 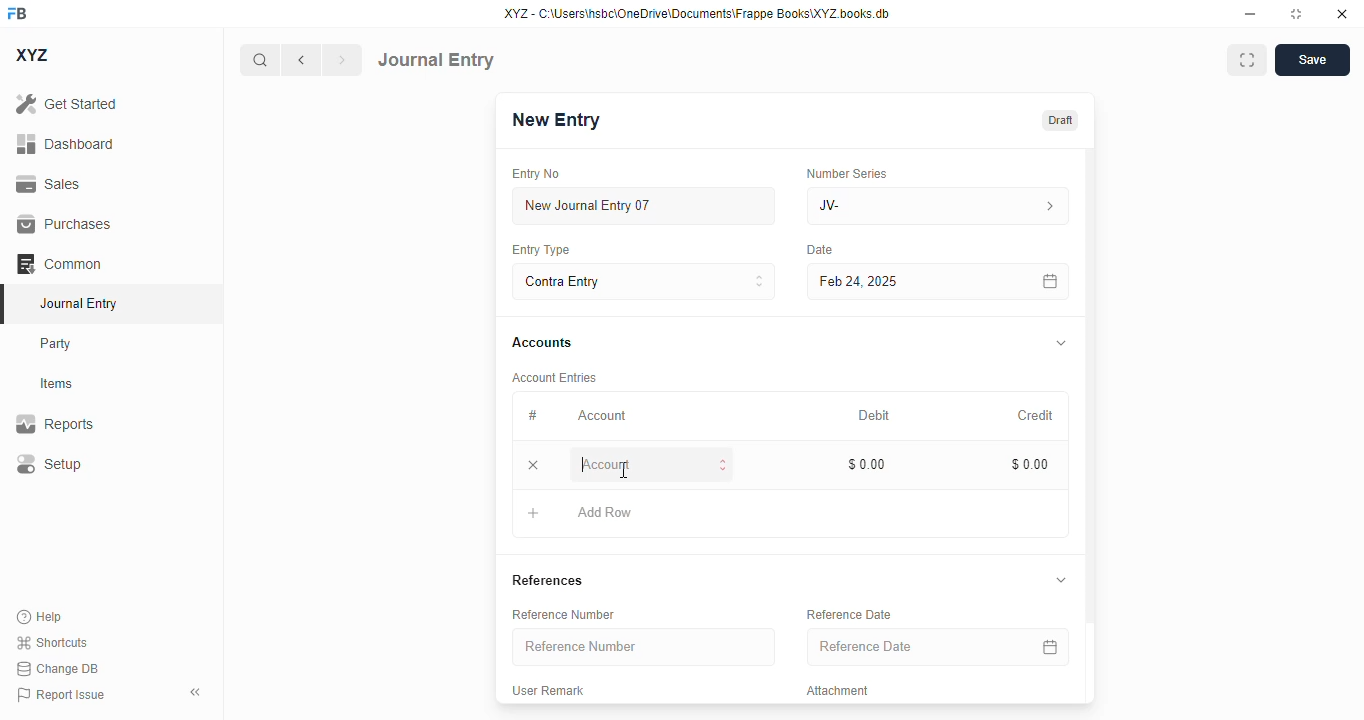 I want to click on reference number, so click(x=566, y=614).